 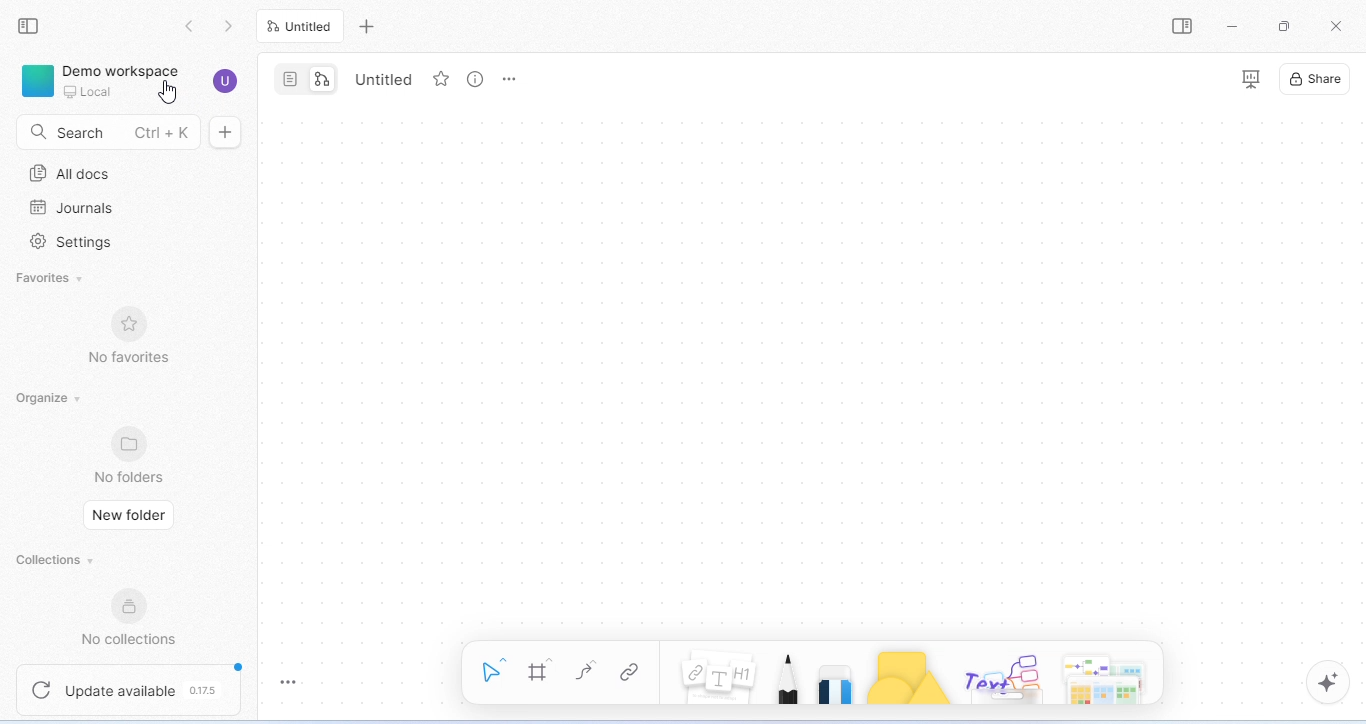 I want to click on share, so click(x=1316, y=81).